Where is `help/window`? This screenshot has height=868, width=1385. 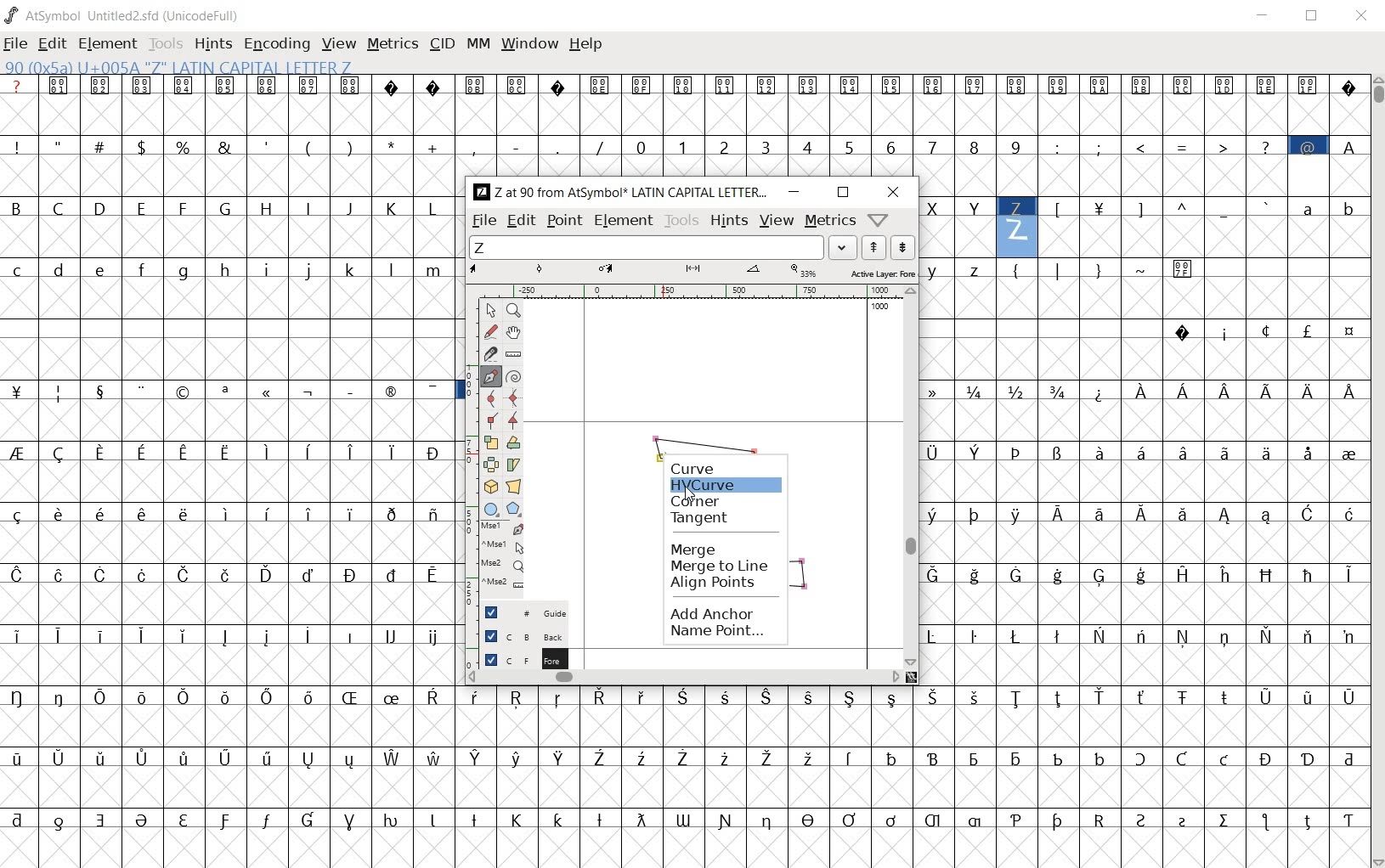
help/window is located at coordinates (879, 220).